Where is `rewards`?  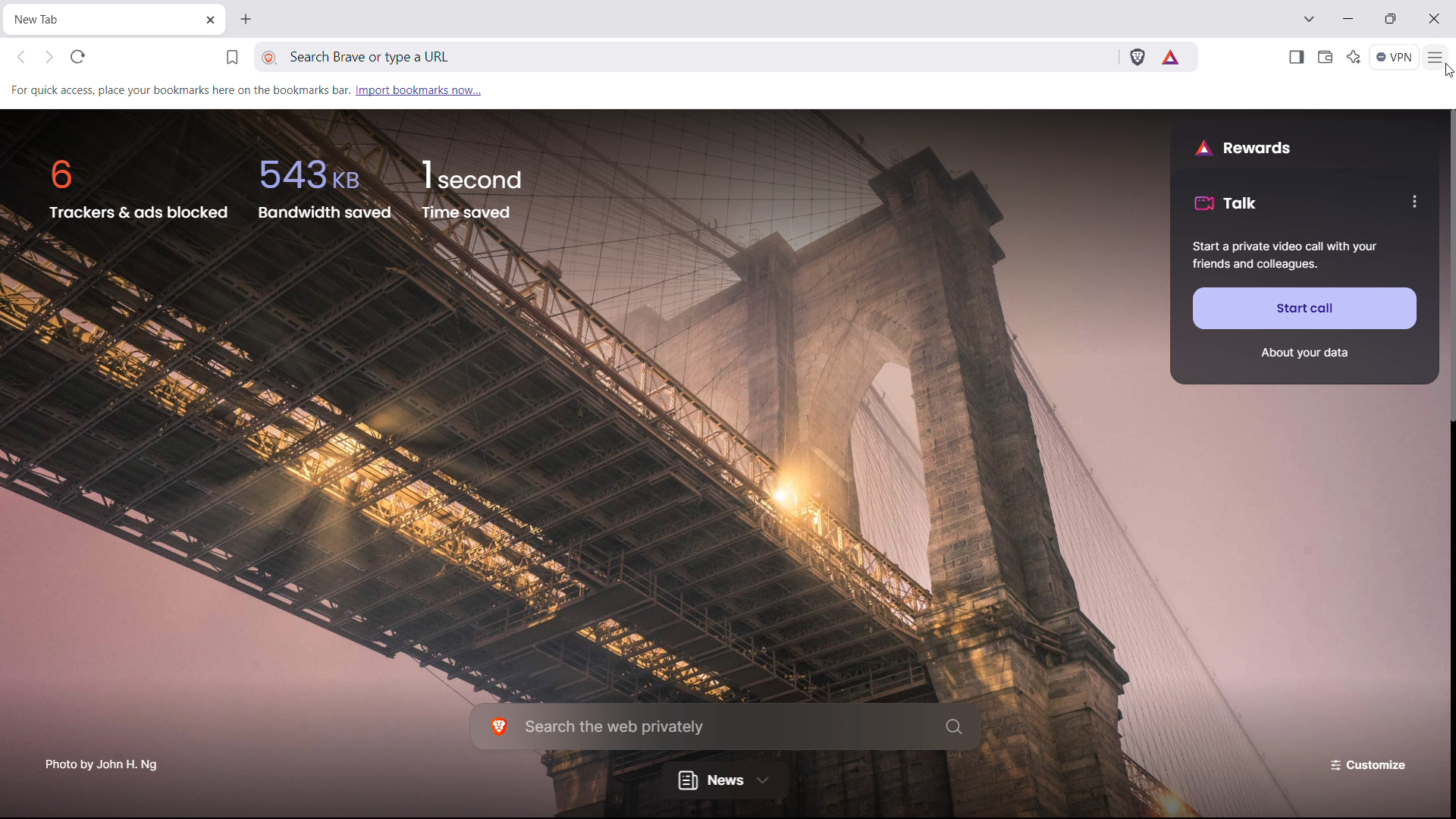 rewards is located at coordinates (1247, 147).